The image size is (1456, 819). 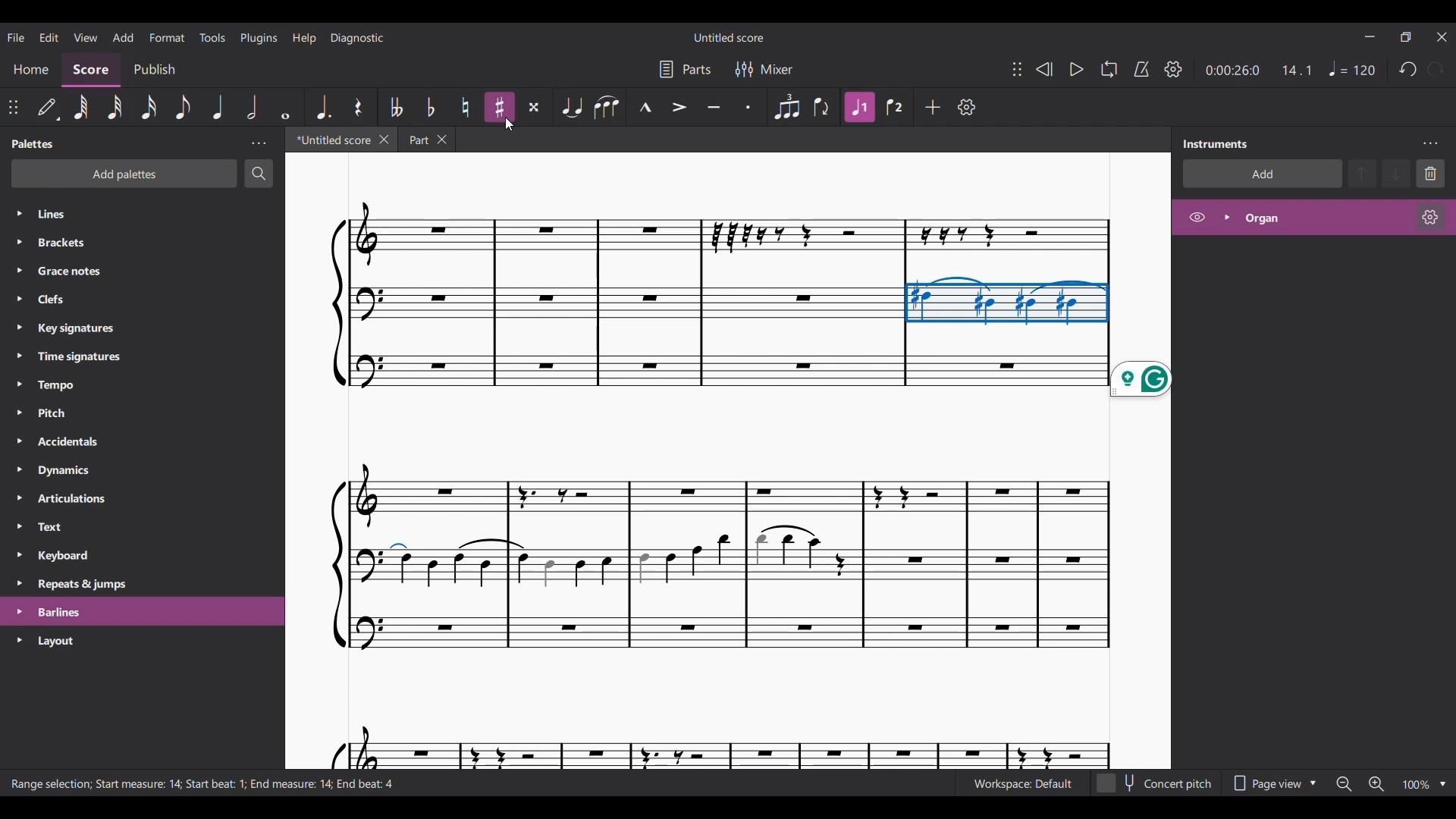 I want to click on Toggle flat, so click(x=431, y=107).